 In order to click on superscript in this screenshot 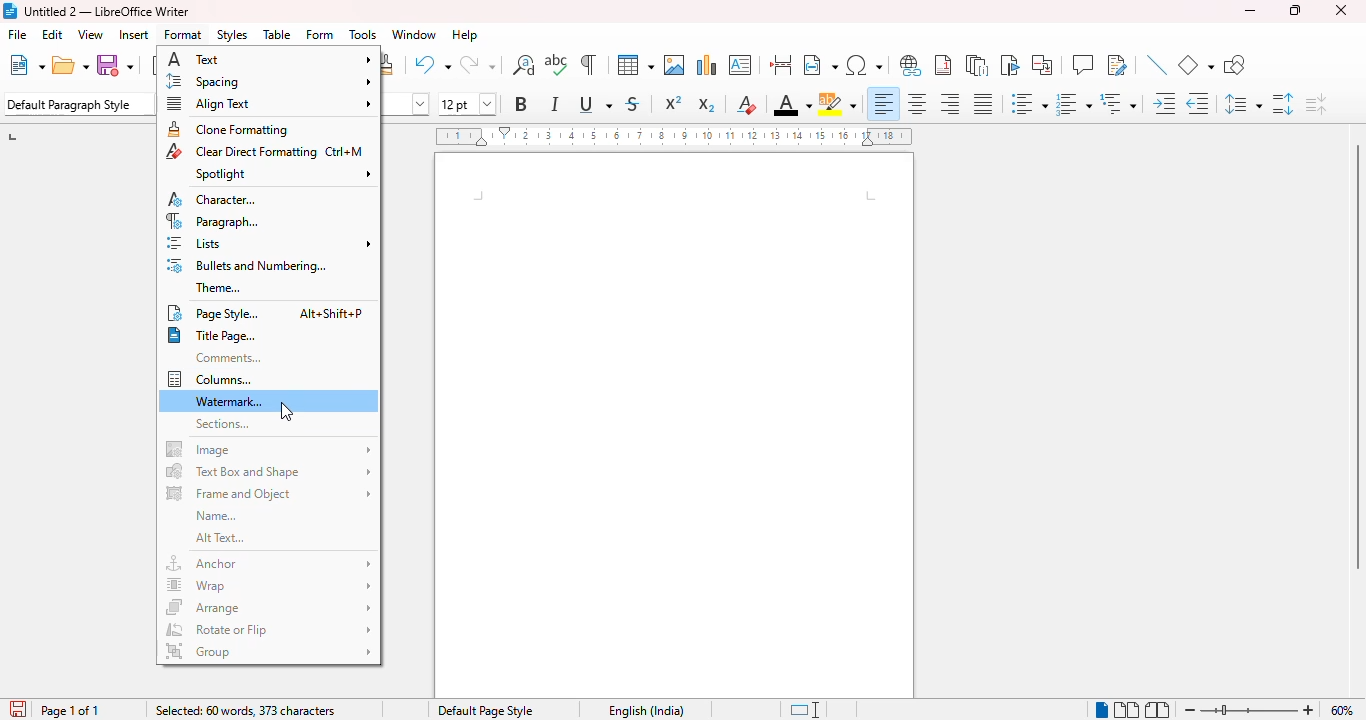, I will do `click(673, 102)`.